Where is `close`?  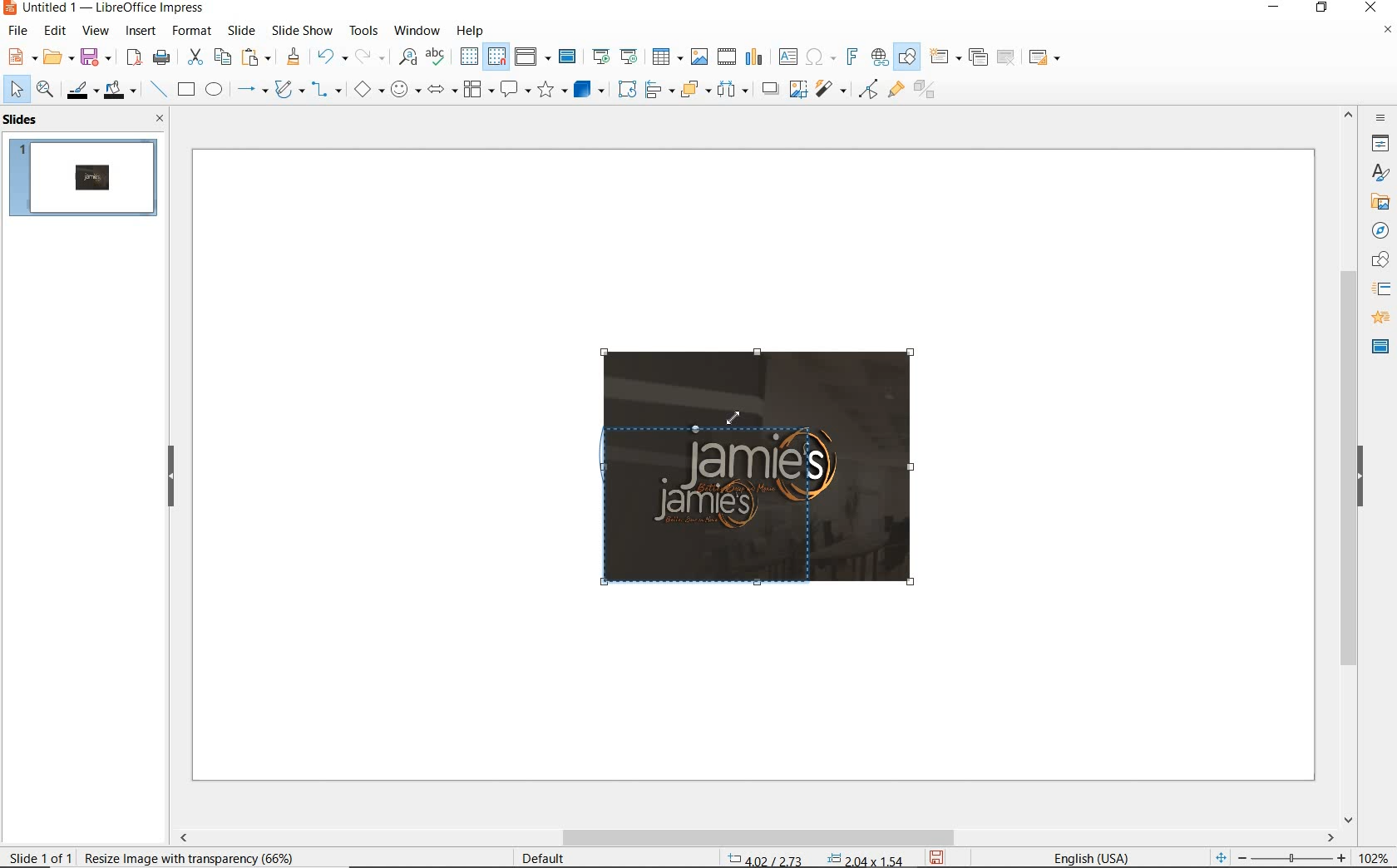
close is located at coordinates (1370, 8).